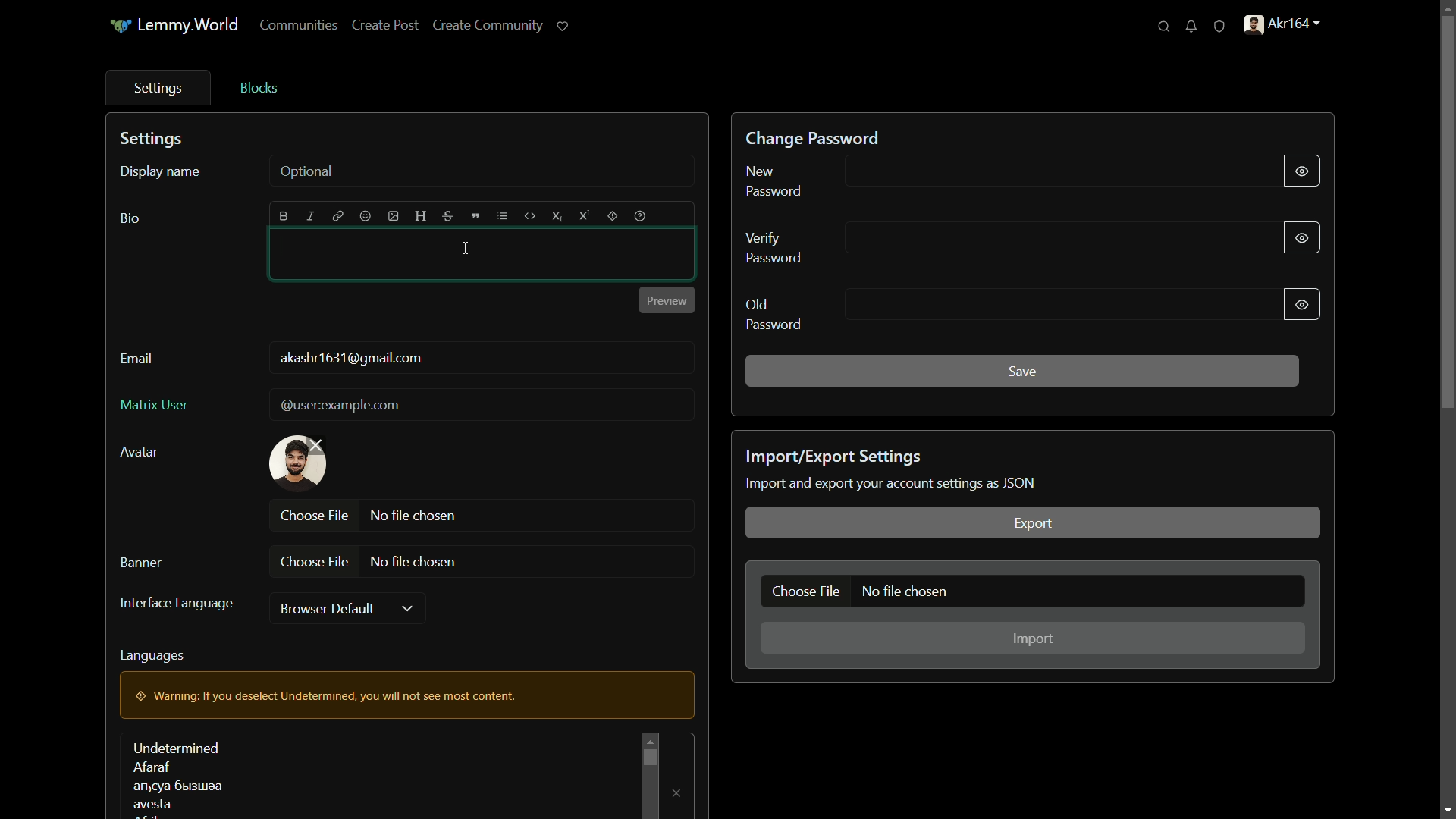  I want to click on unread notifications, so click(1191, 26).